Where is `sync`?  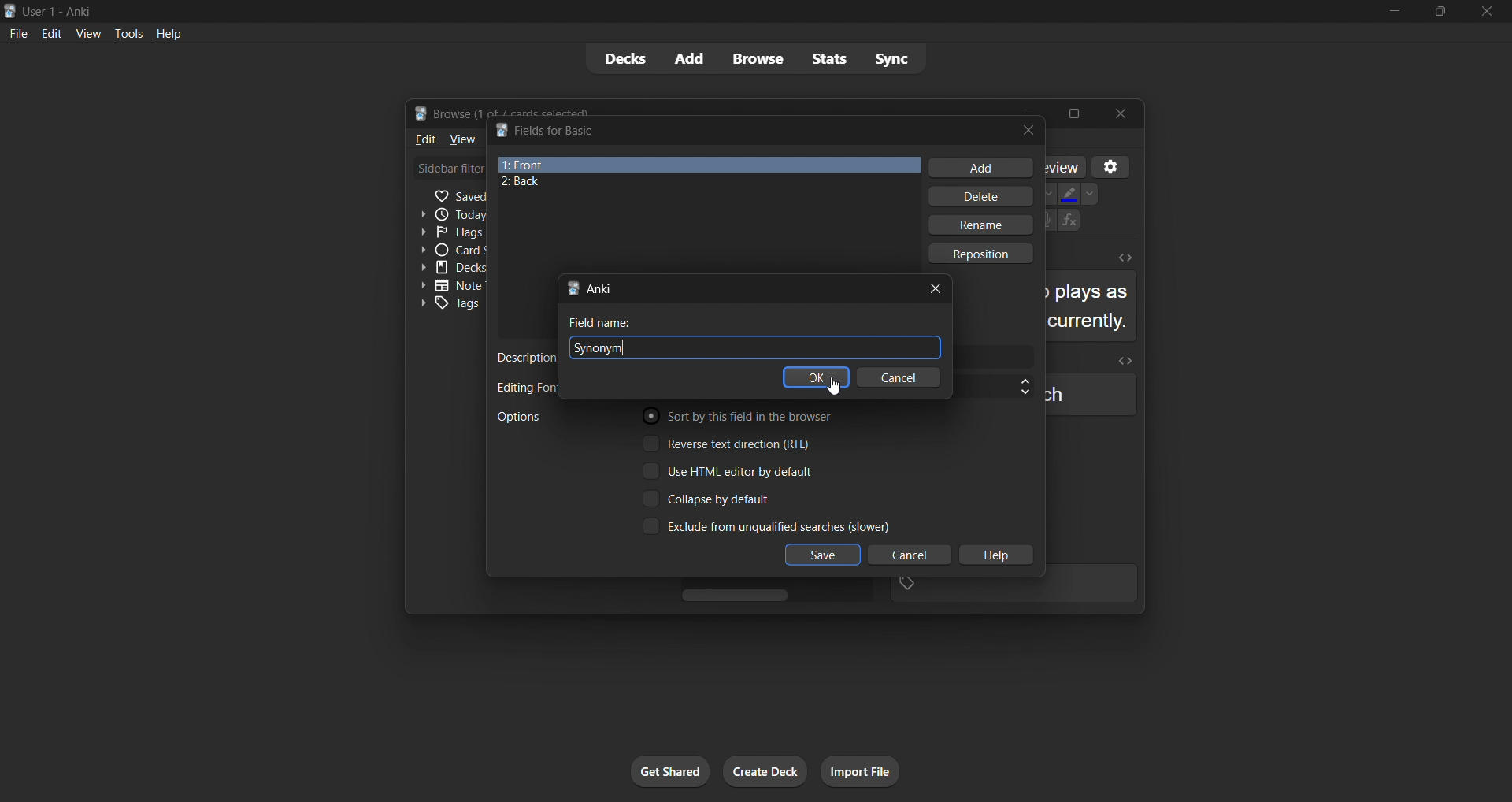
sync is located at coordinates (896, 58).